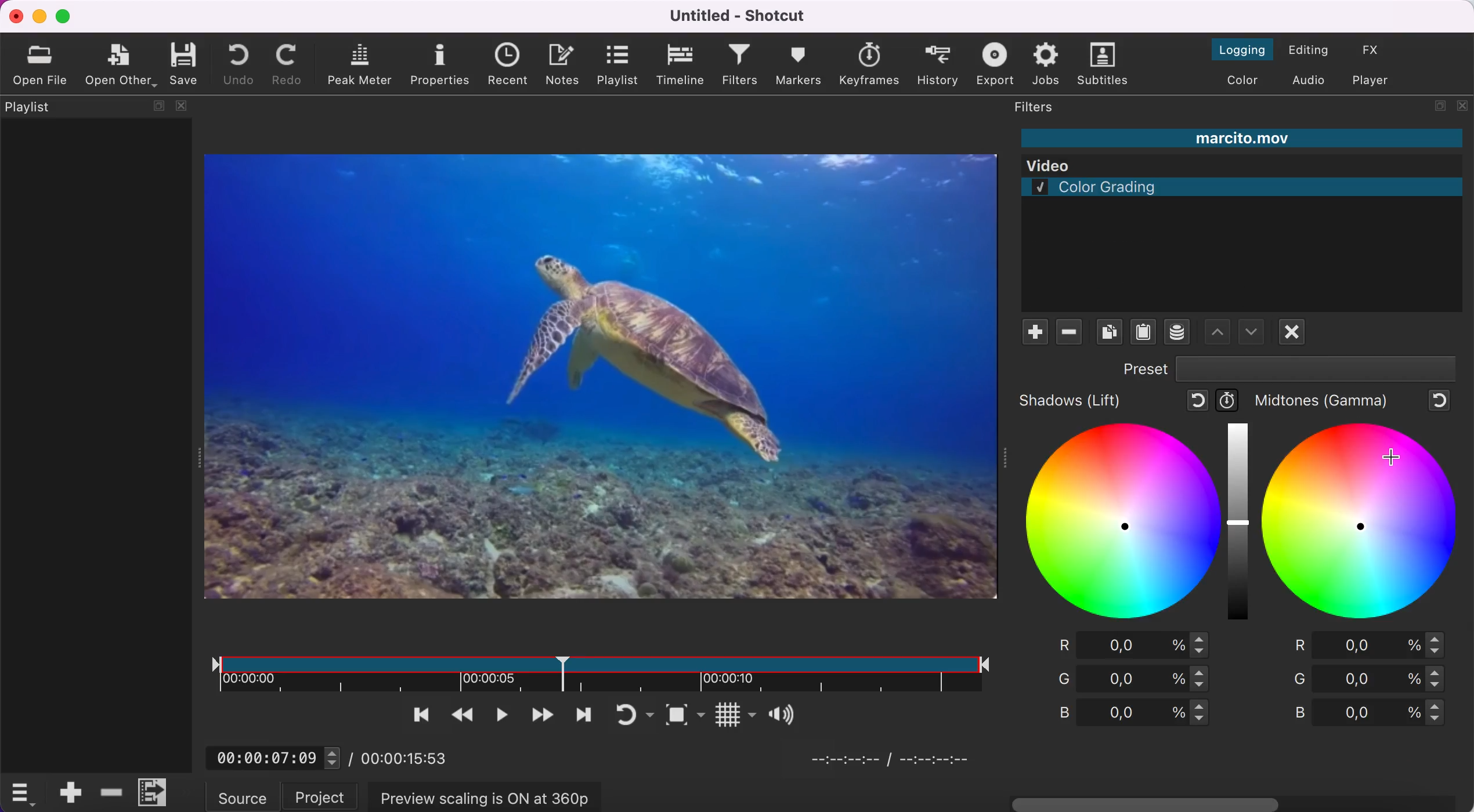 Image resolution: width=1474 pixels, height=812 pixels. I want to click on append, so click(68, 792).